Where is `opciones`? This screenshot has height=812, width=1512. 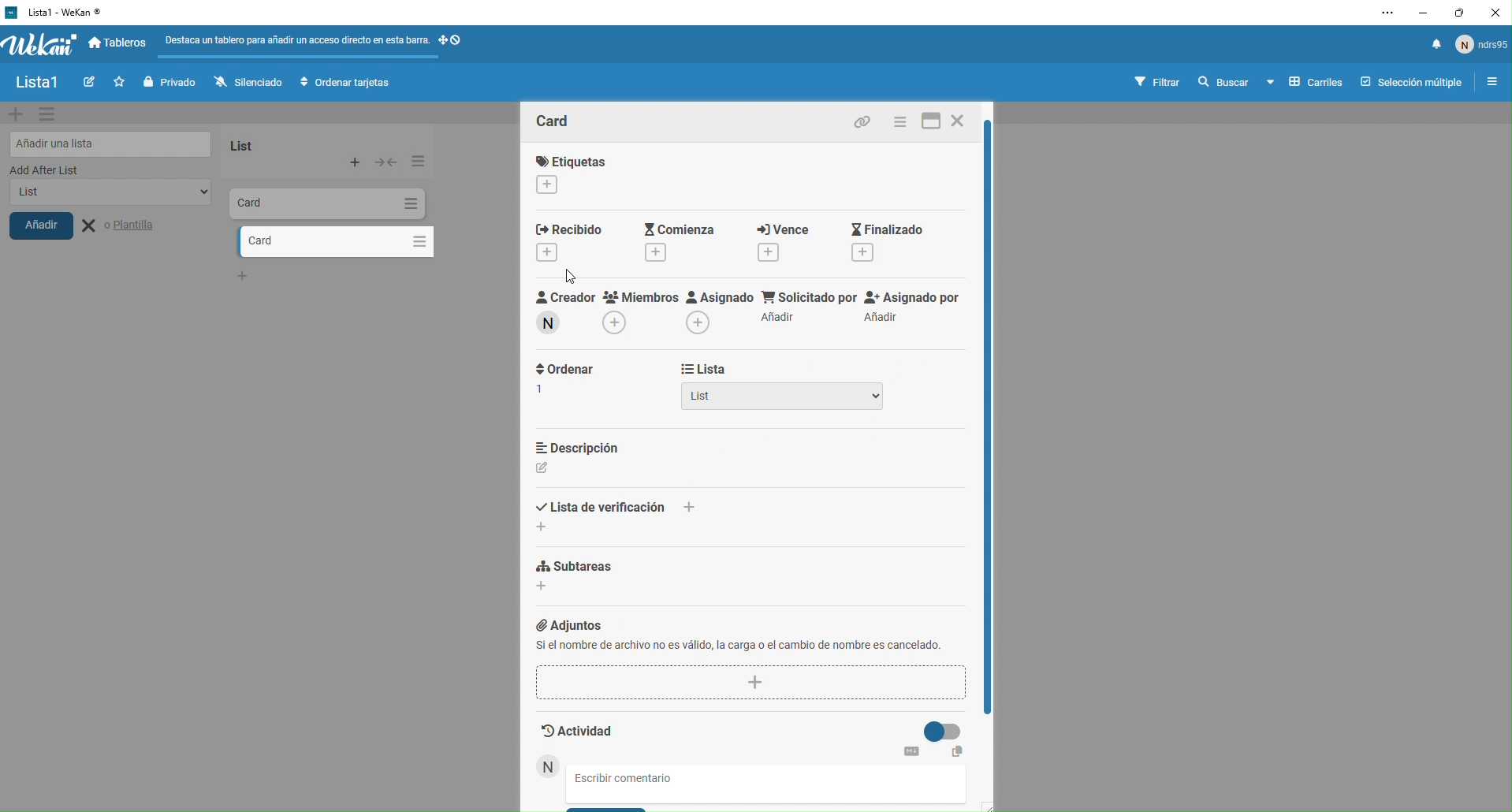
opciones is located at coordinates (1488, 84).